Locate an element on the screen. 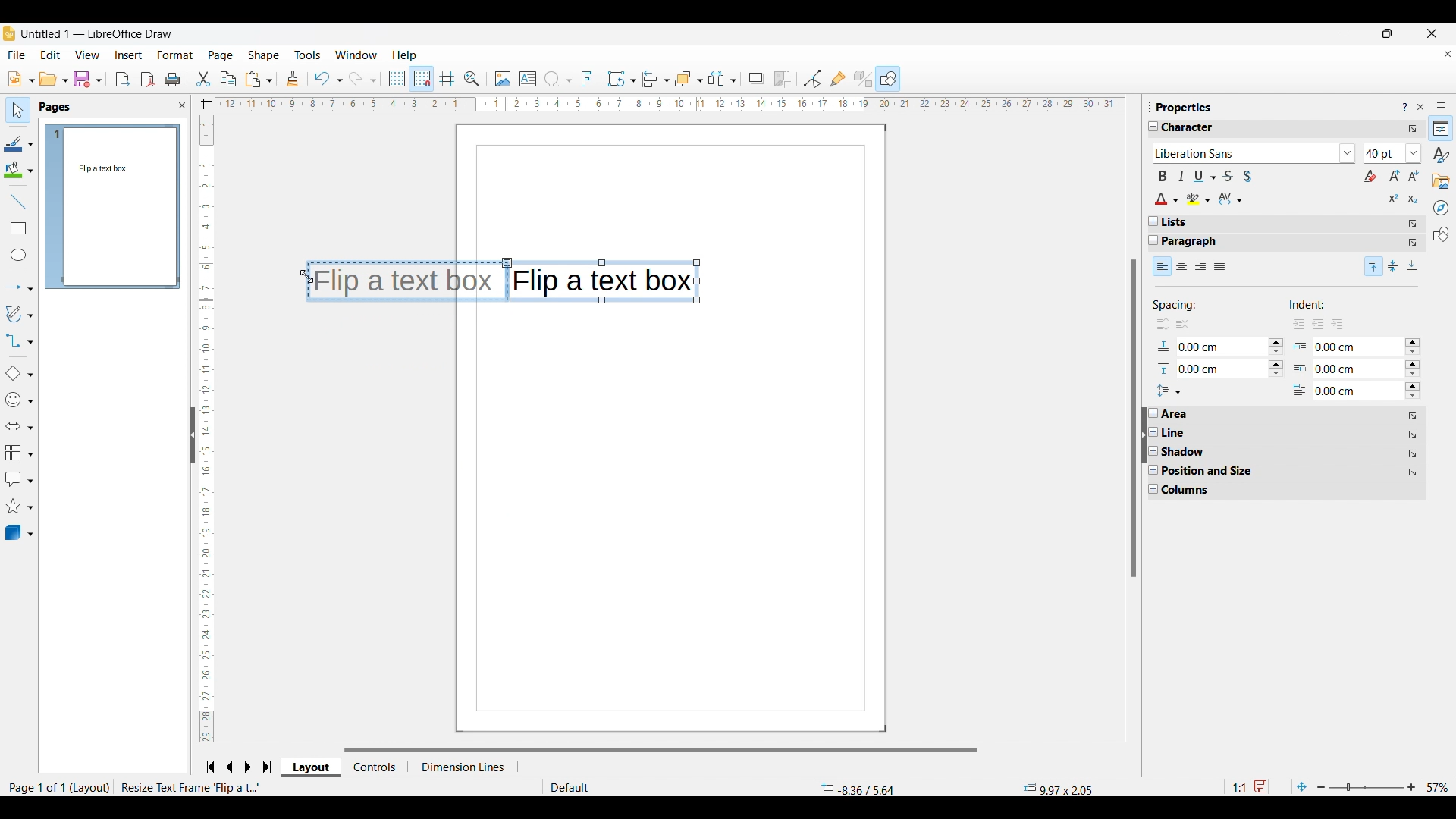  Cursor is located at coordinates (301, 273).